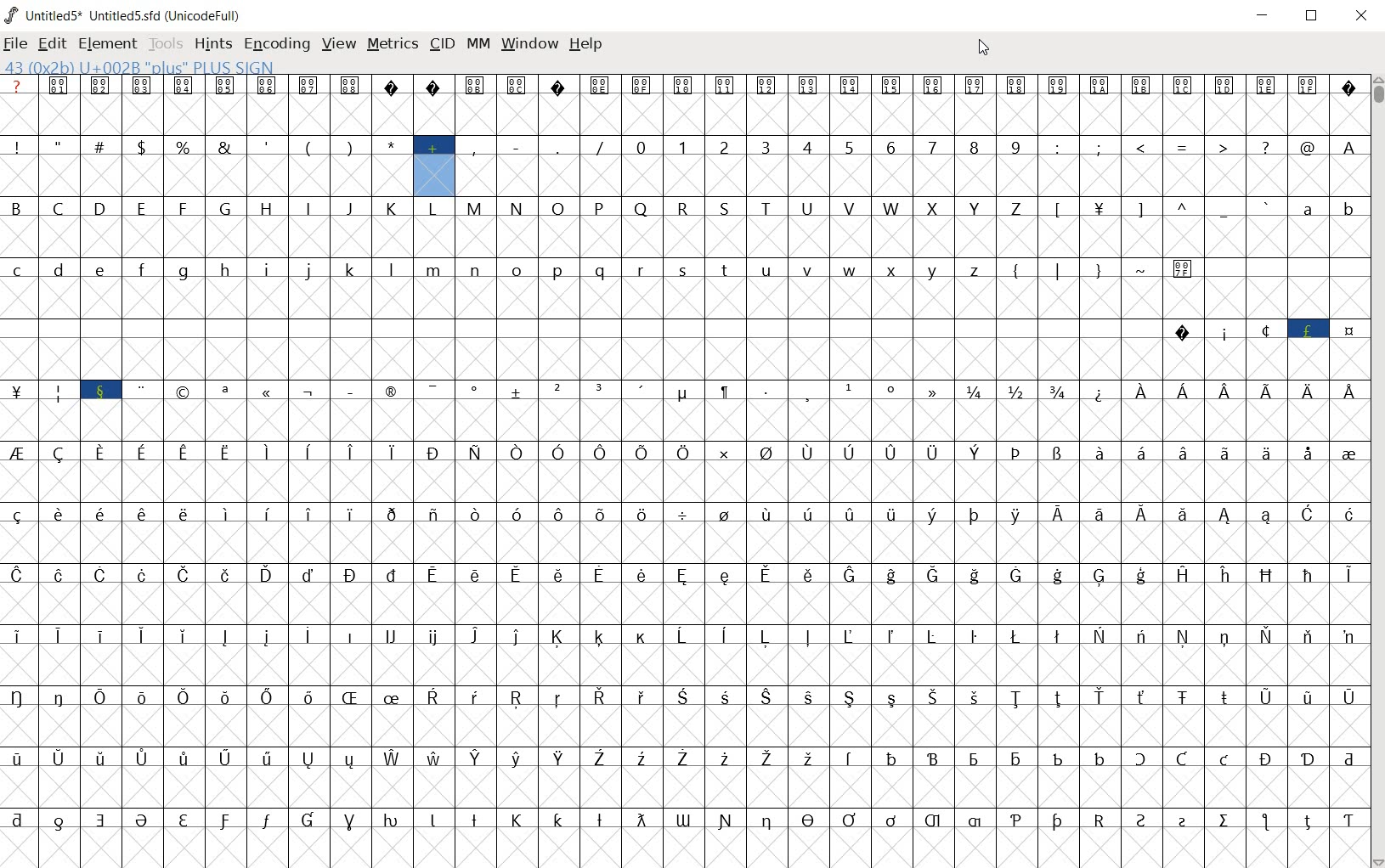 This screenshot has width=1385, height=868. What do you see at coordinates (52, 43) in the screenshot?
I see `edit` at bounding box center [52, 43].